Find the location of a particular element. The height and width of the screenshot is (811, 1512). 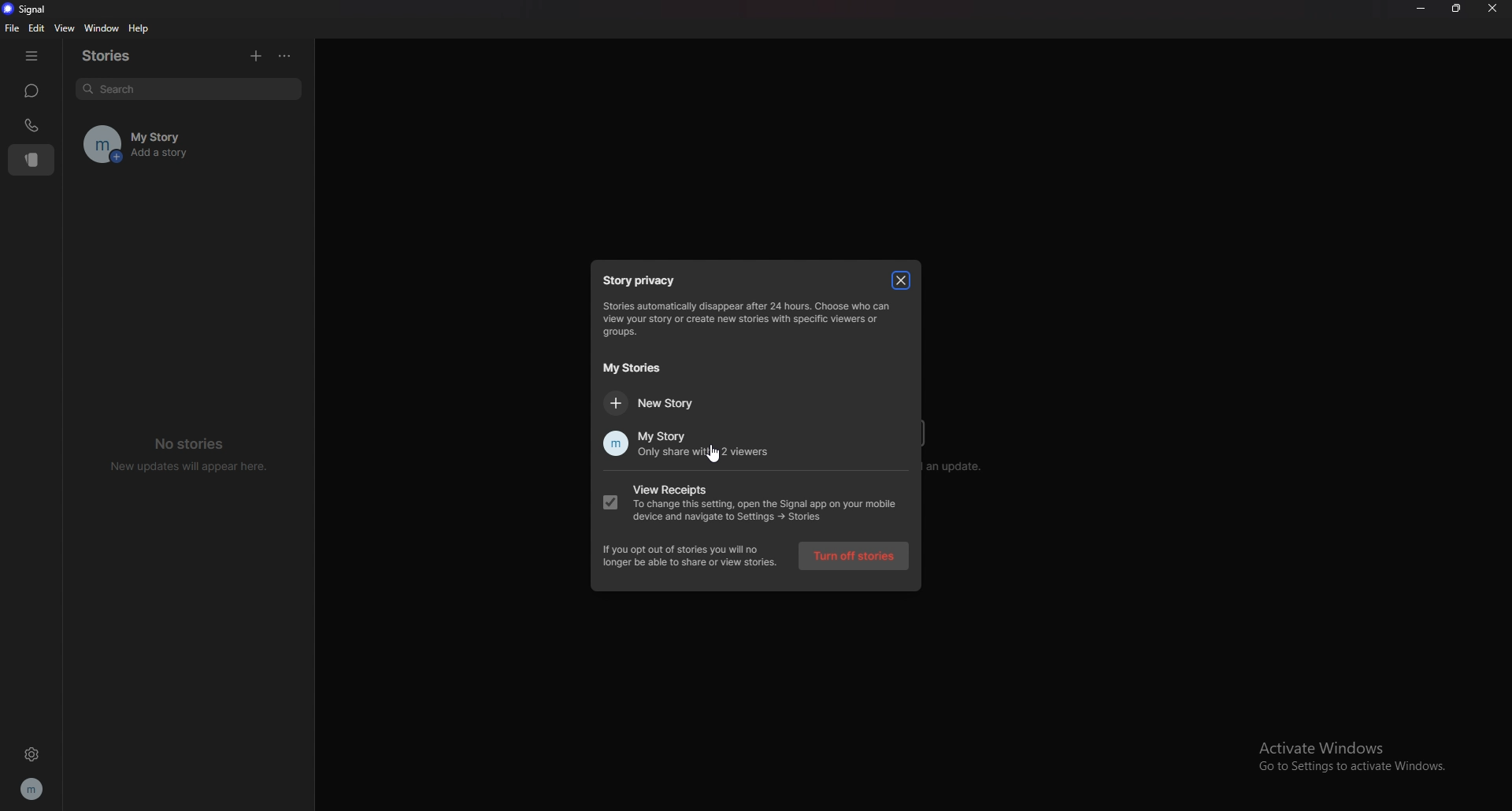

minimize is located at coordinates (1421, 9).